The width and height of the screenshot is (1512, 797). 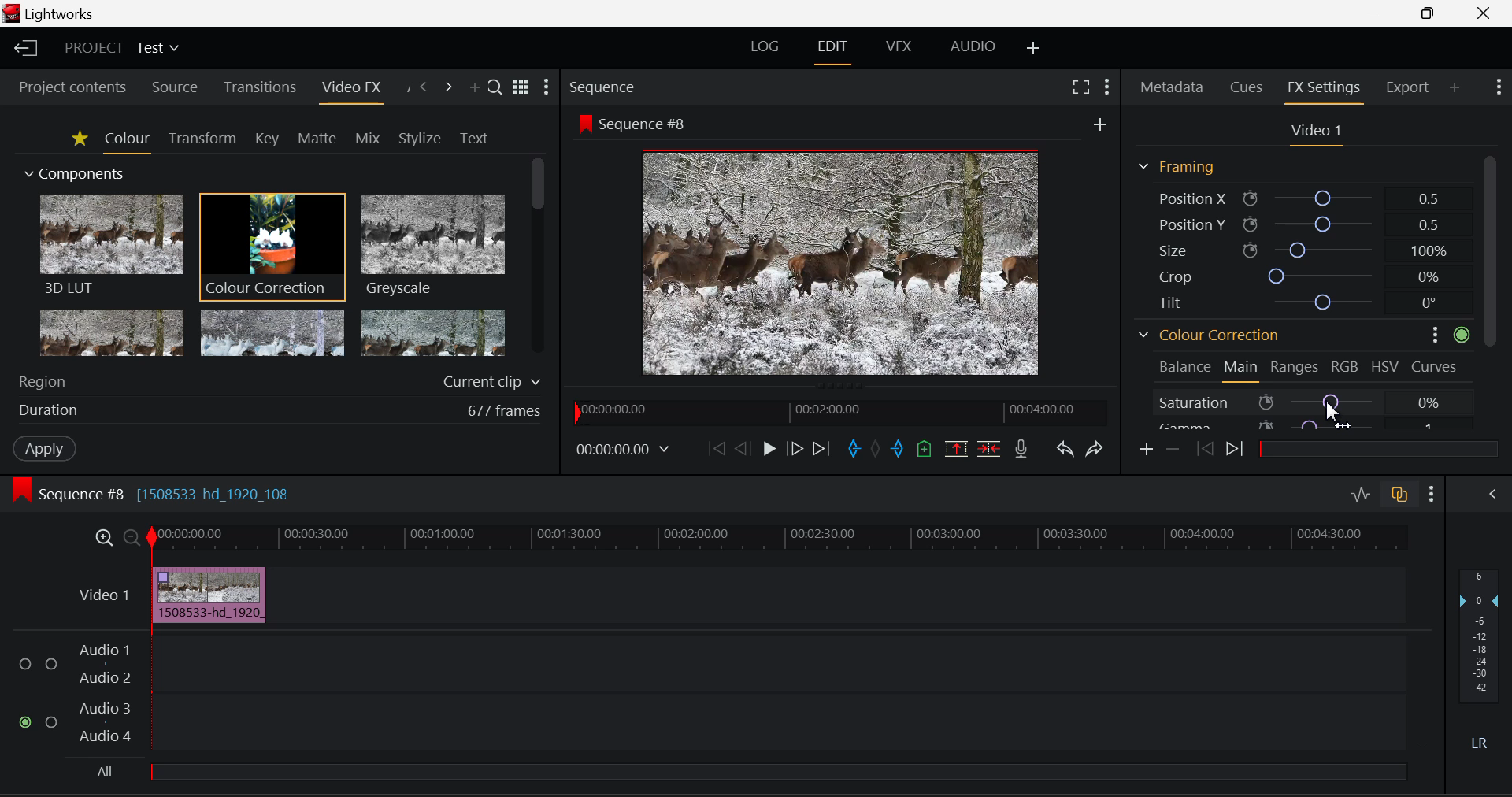 What do you see at coordinates (1298, 400) in the screenshot?
I see `Saturation` at bounding box center [1298, 400].